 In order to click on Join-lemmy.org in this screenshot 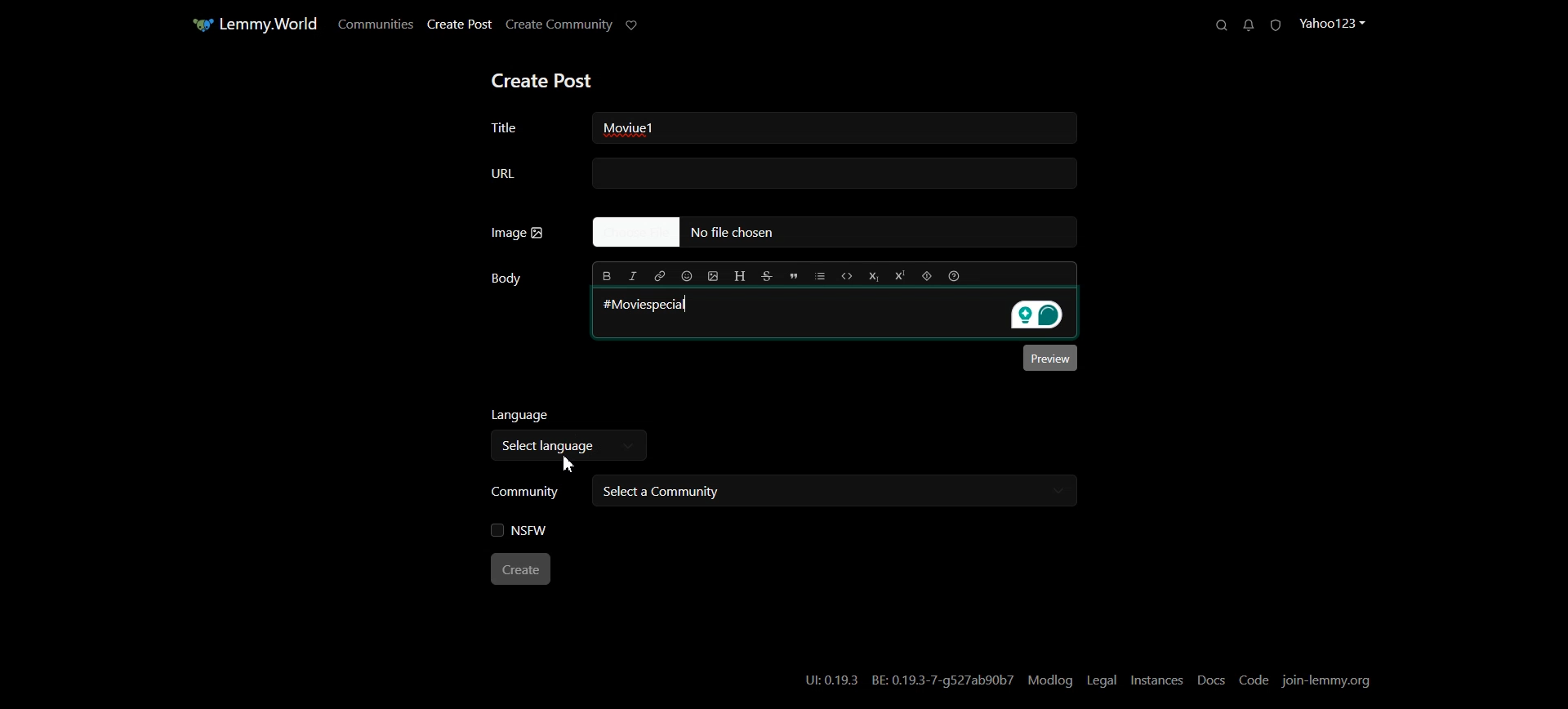, I will do `click(1329, 680)`.